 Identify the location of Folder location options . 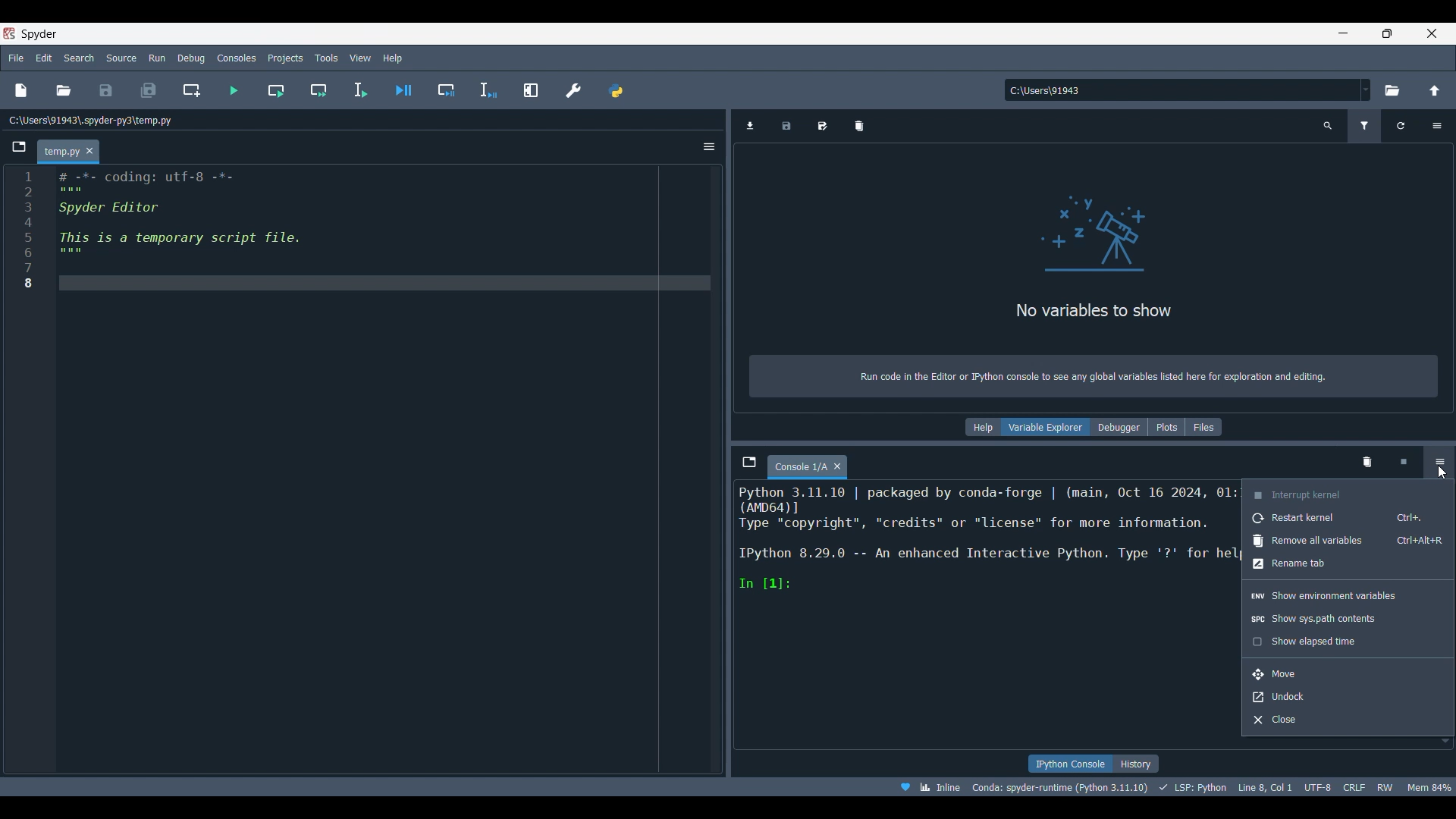
(1366, 89).